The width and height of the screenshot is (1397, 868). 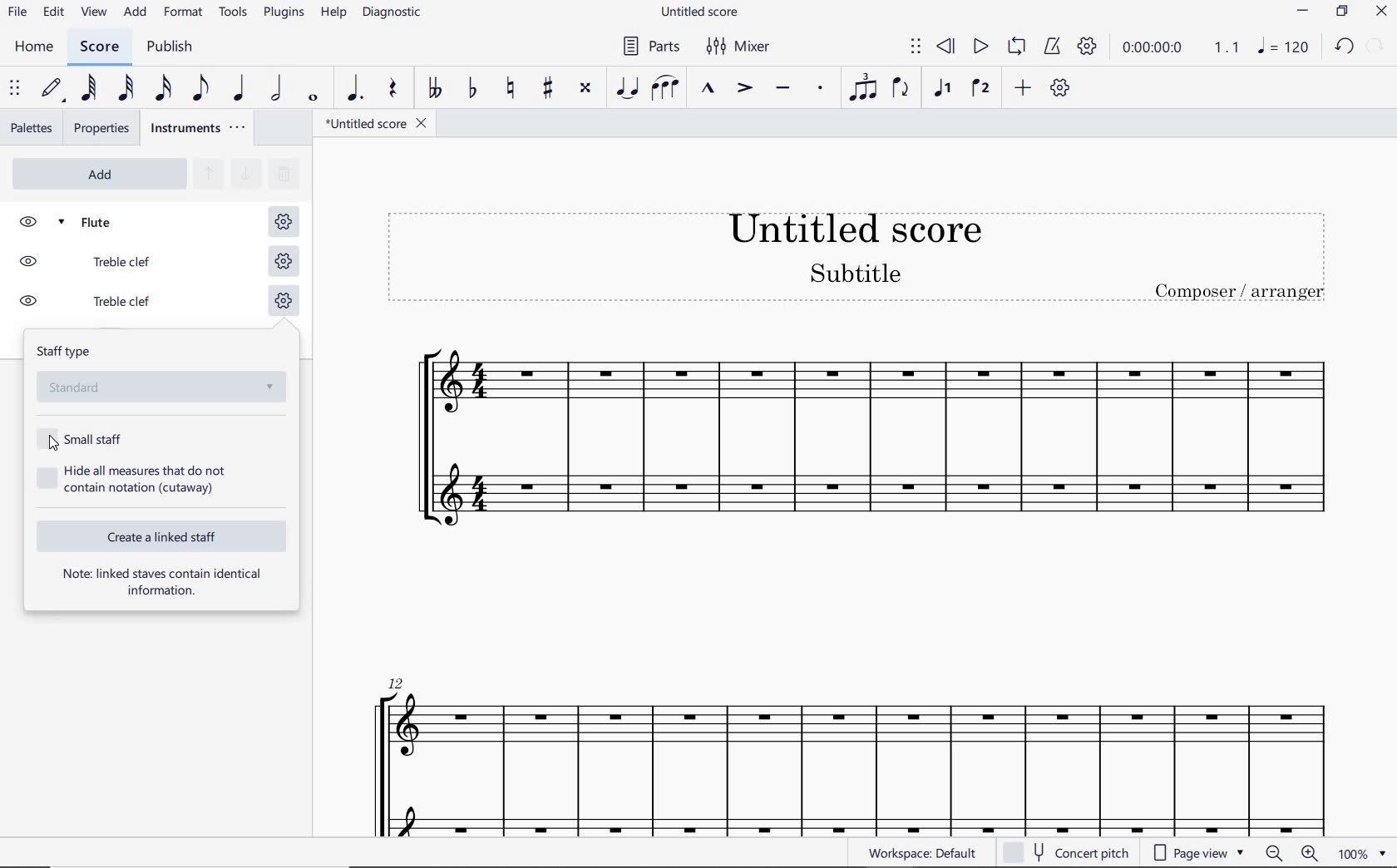 I want to click on STAFF SETTING, so click(x=282, y=222).